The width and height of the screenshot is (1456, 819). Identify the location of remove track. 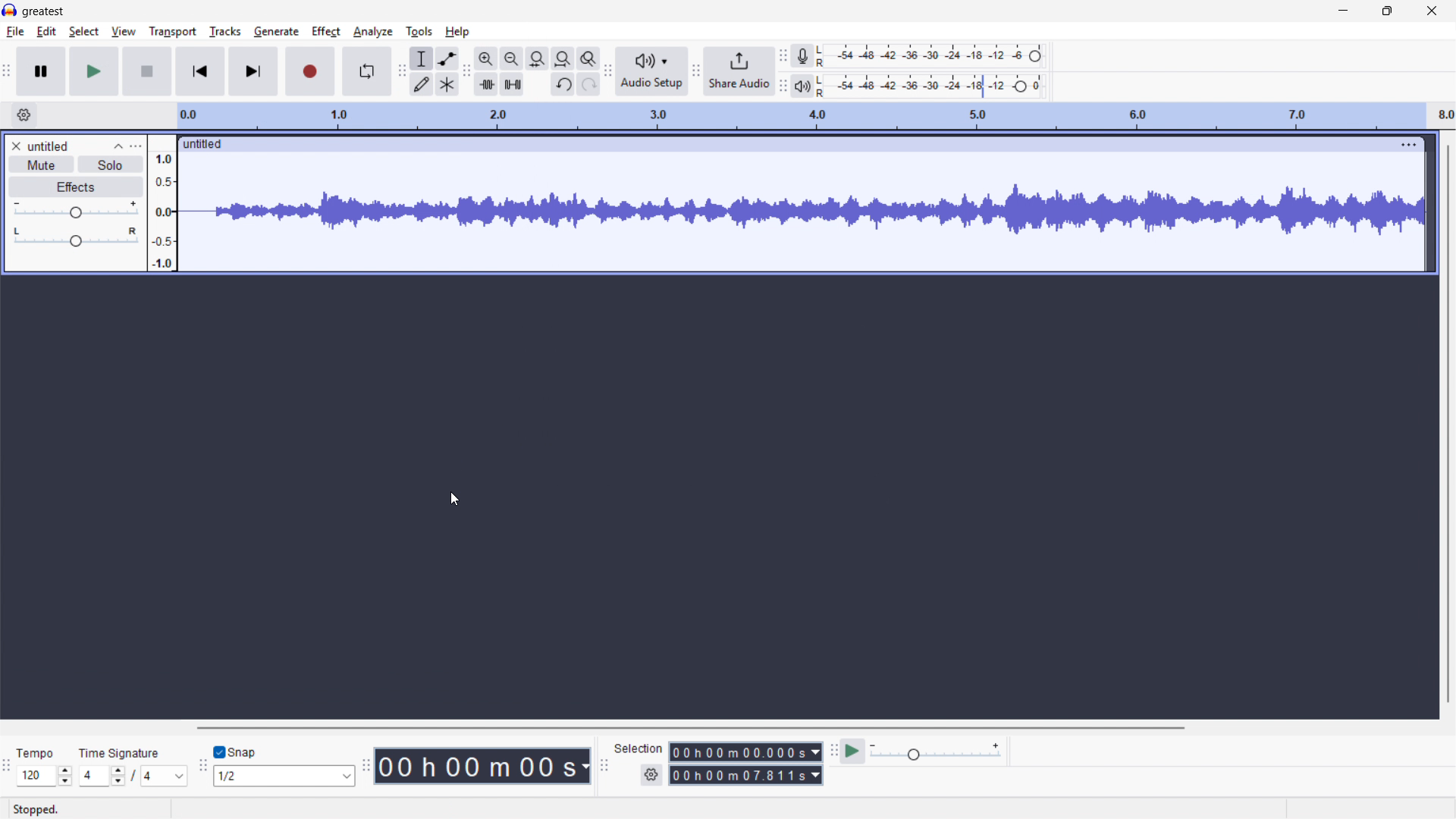
(16, 146).